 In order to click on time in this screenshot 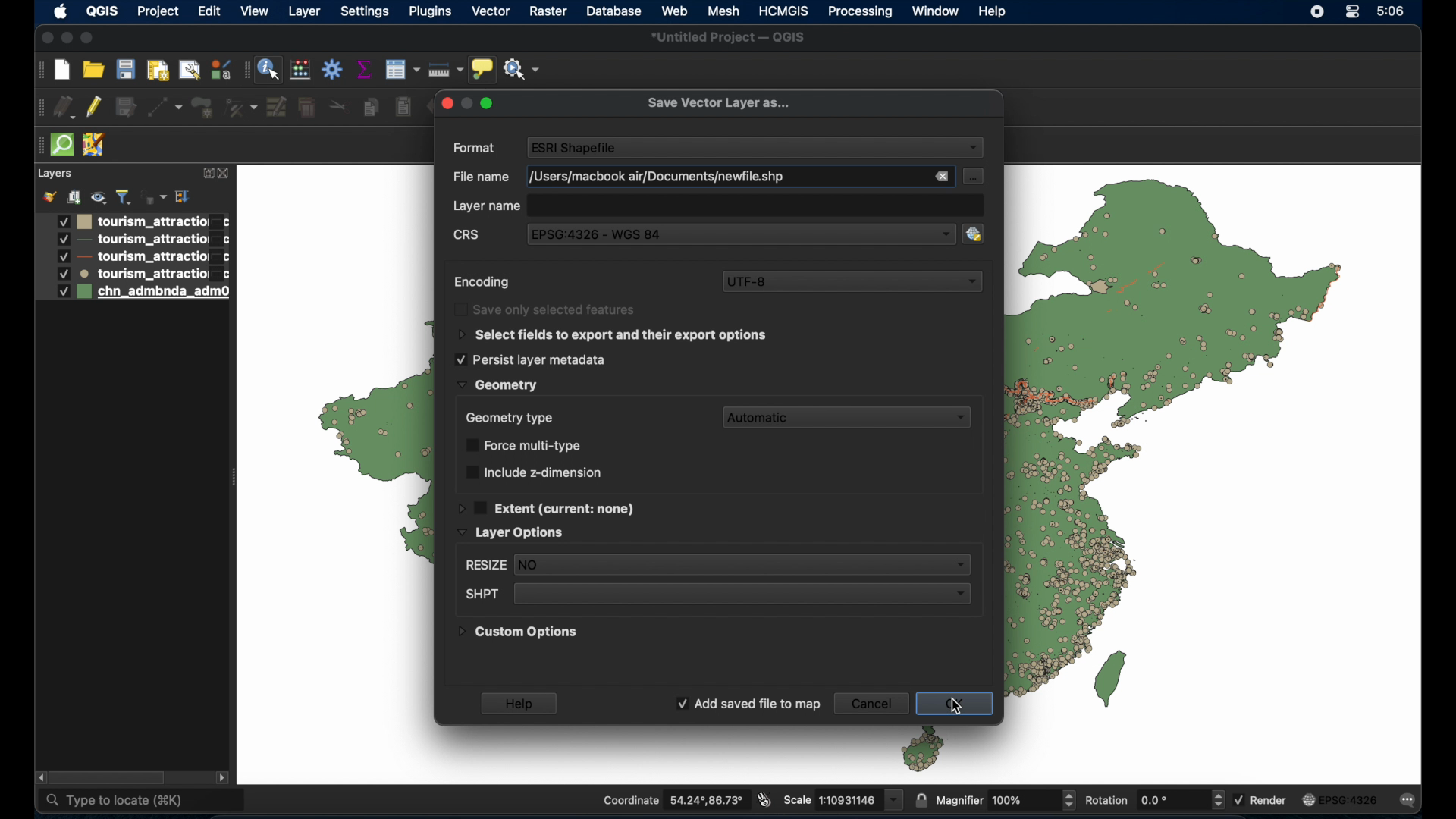, I will do `click(1392, 11)`.